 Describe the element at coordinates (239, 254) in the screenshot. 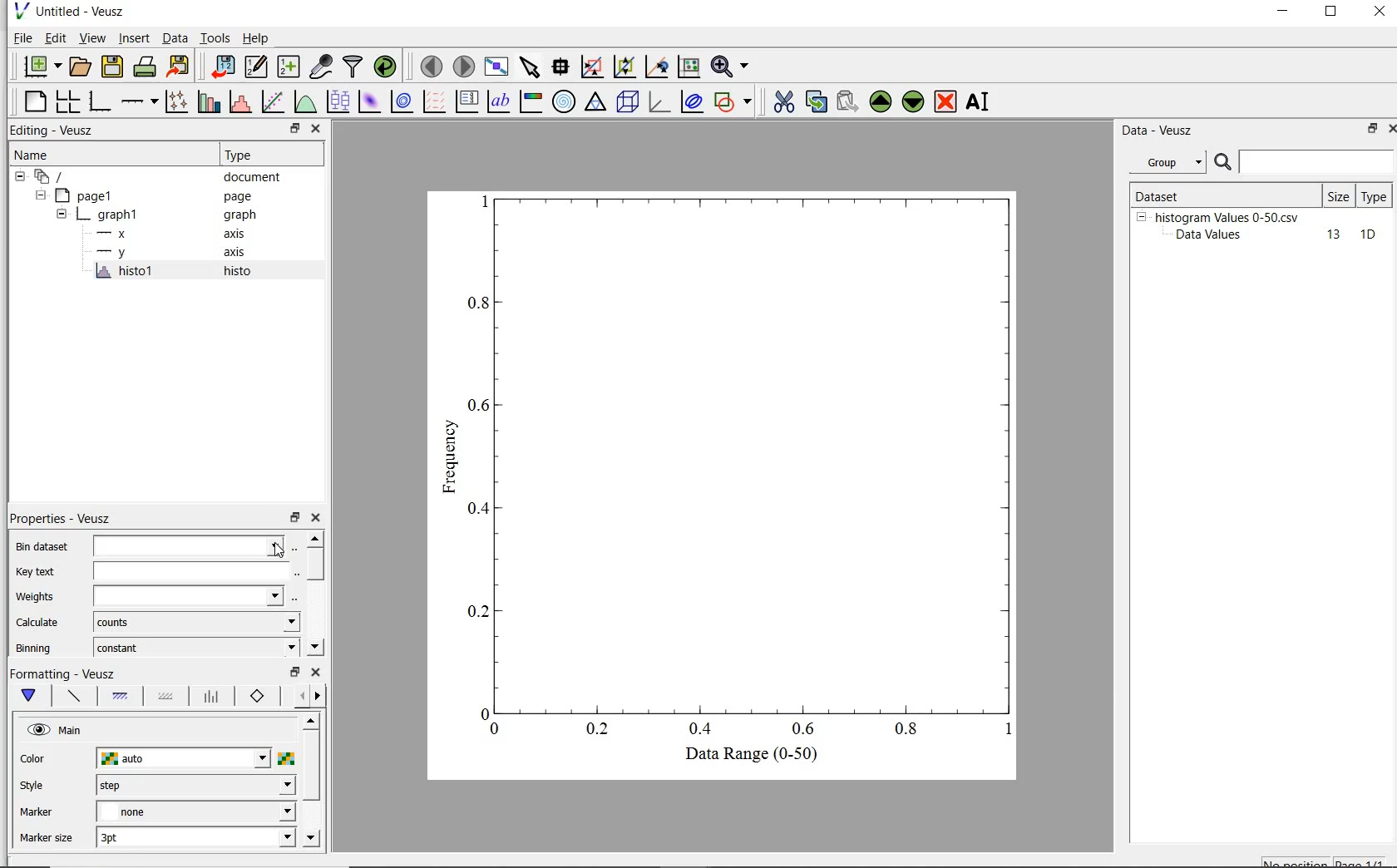

I see `axis` at that location.